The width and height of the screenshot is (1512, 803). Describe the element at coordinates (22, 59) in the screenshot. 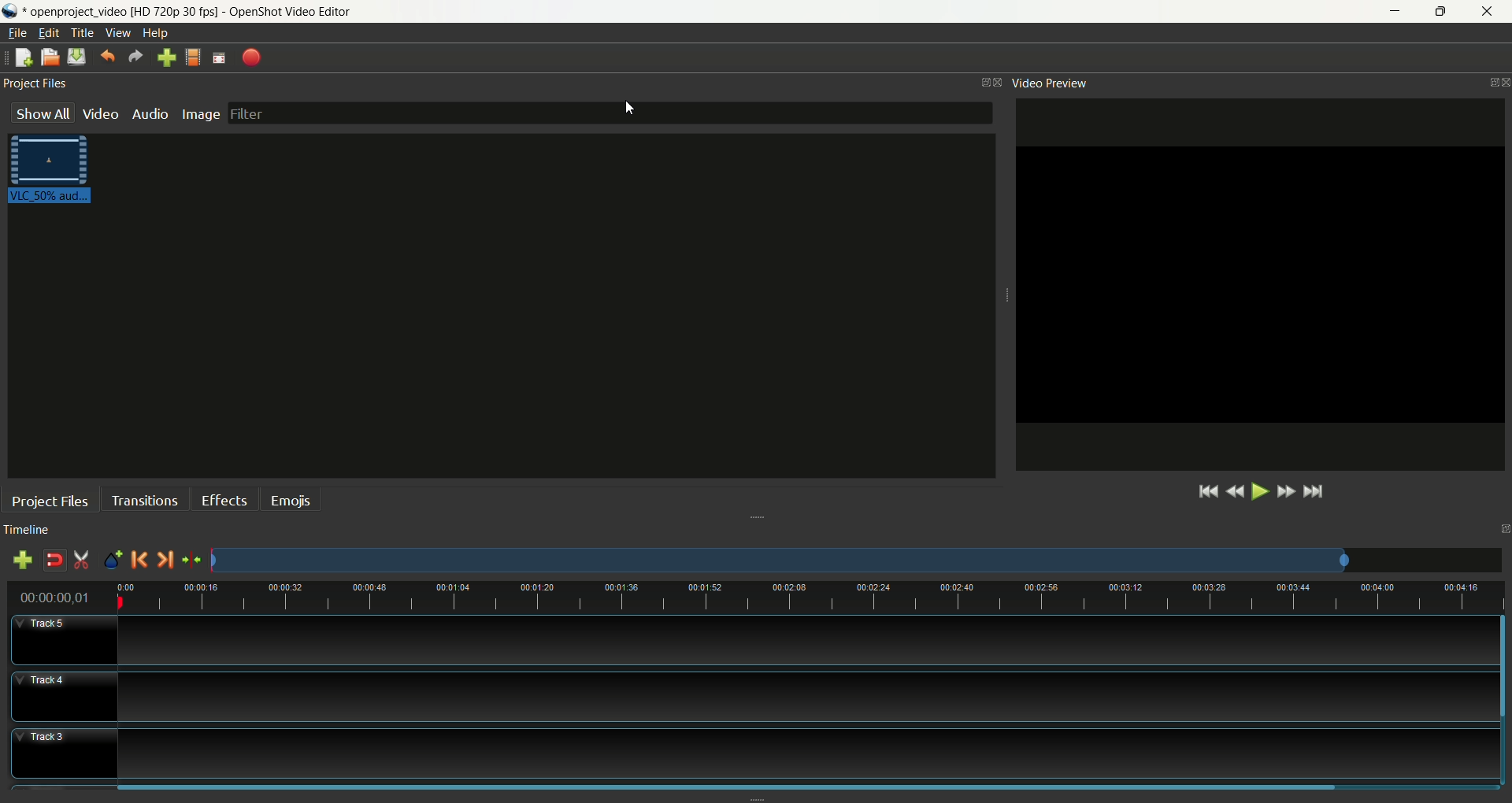

I see `new project` at that location.